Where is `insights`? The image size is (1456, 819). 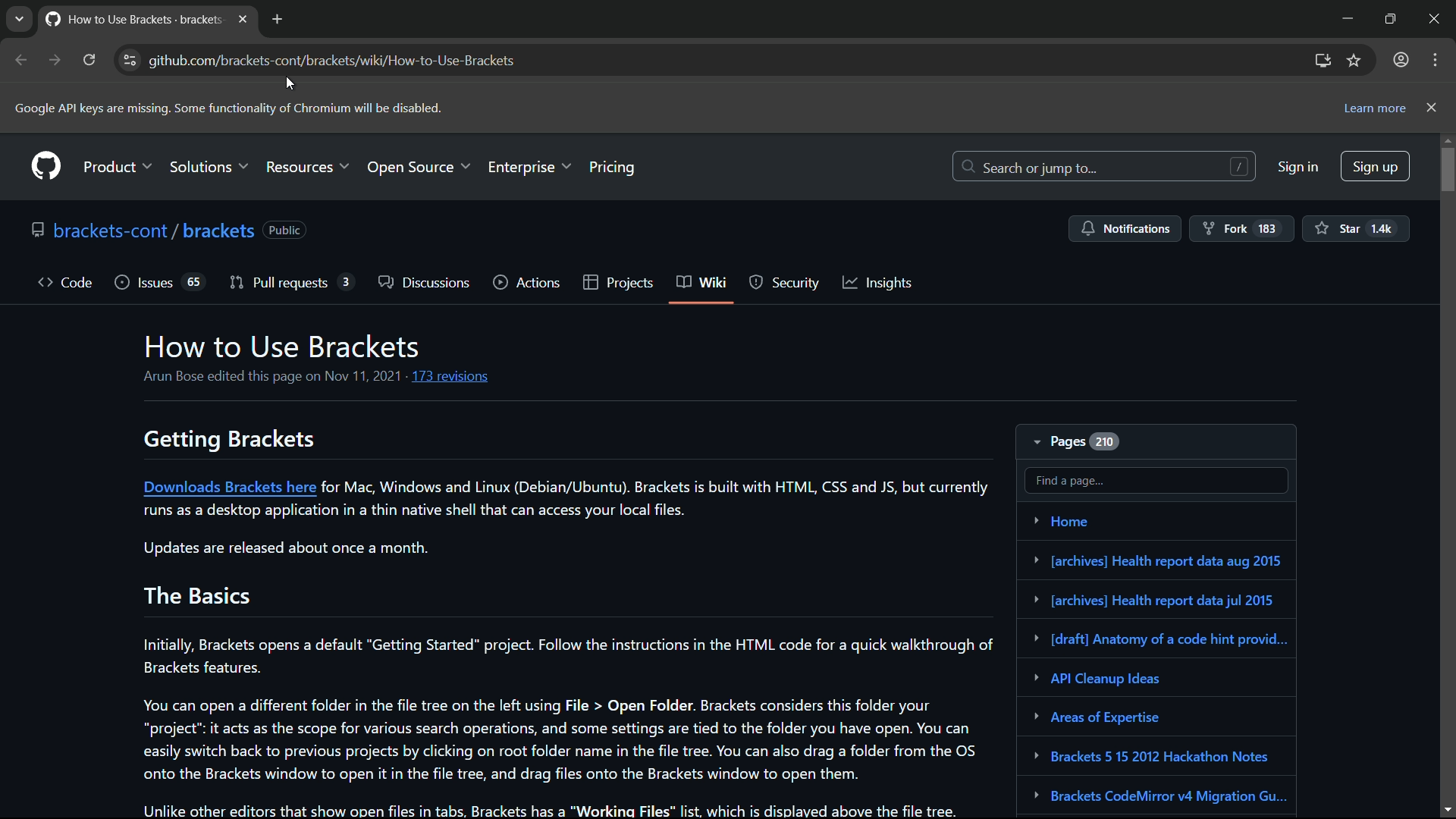 insights is located at coordinates (880, 284).